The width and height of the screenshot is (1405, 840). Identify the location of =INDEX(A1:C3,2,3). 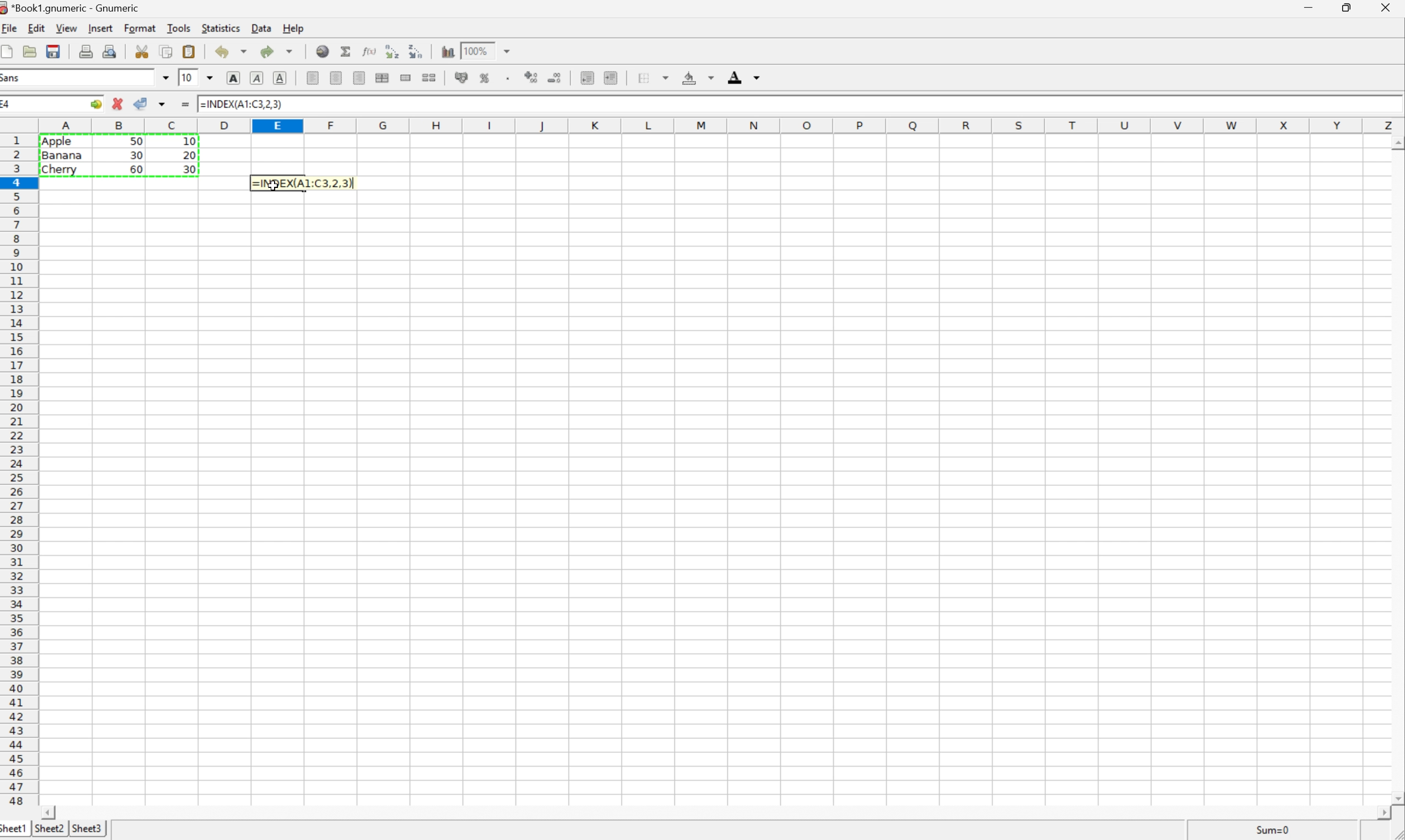
(308, 182).